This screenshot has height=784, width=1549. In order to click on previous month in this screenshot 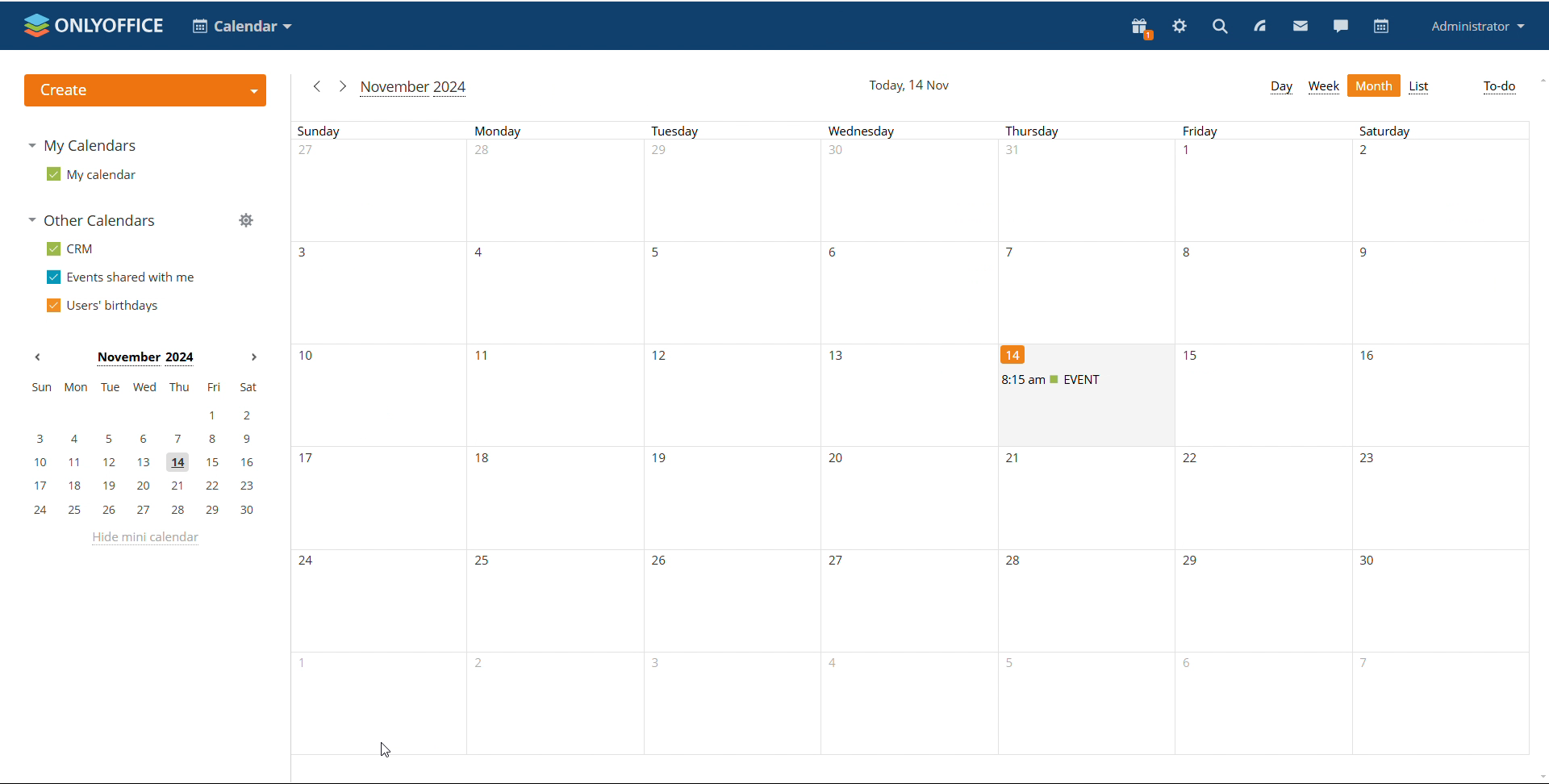, I will do `click(315, 87)`.